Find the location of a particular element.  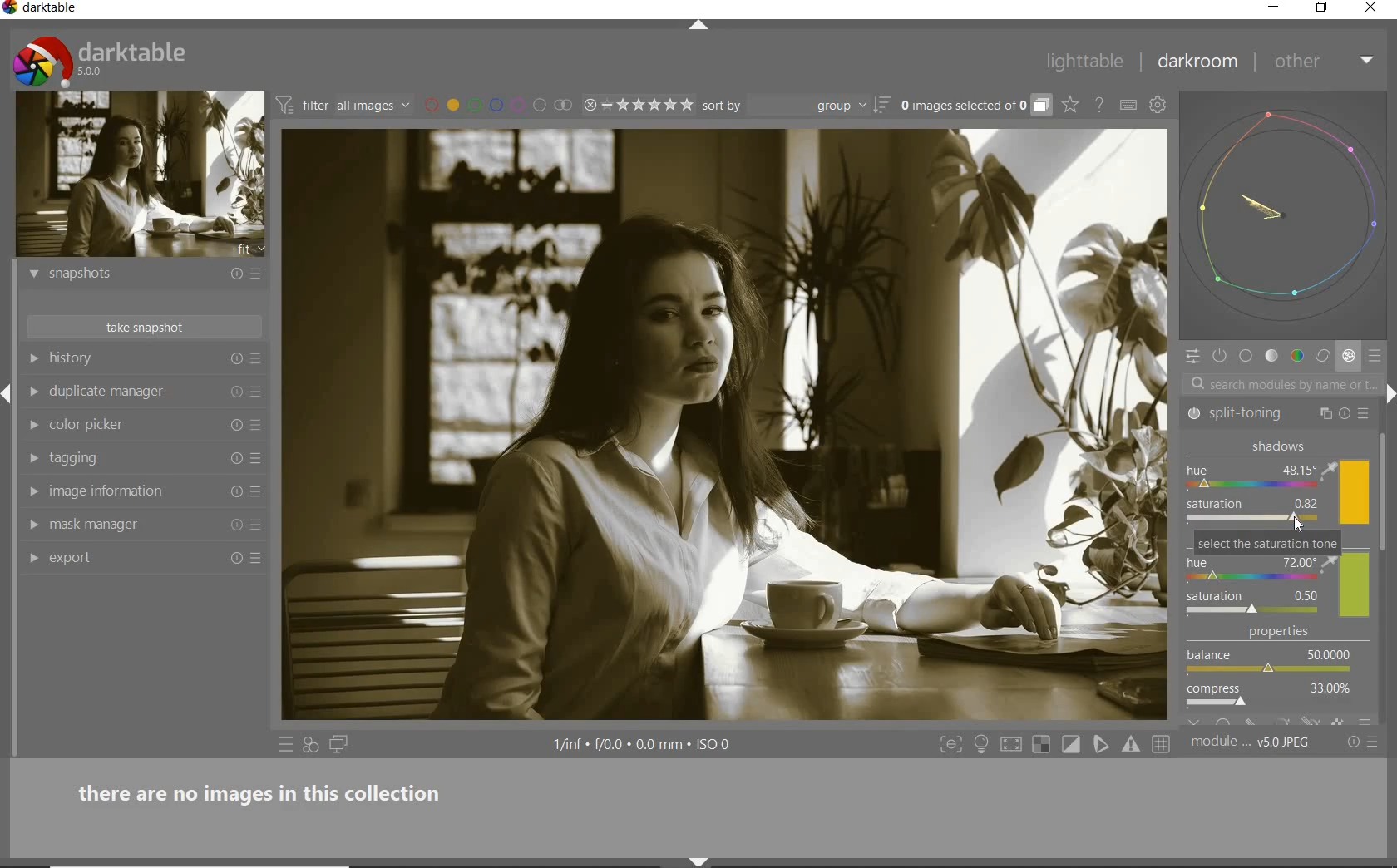

range rating of selected image is located at coordinates (637, 106).